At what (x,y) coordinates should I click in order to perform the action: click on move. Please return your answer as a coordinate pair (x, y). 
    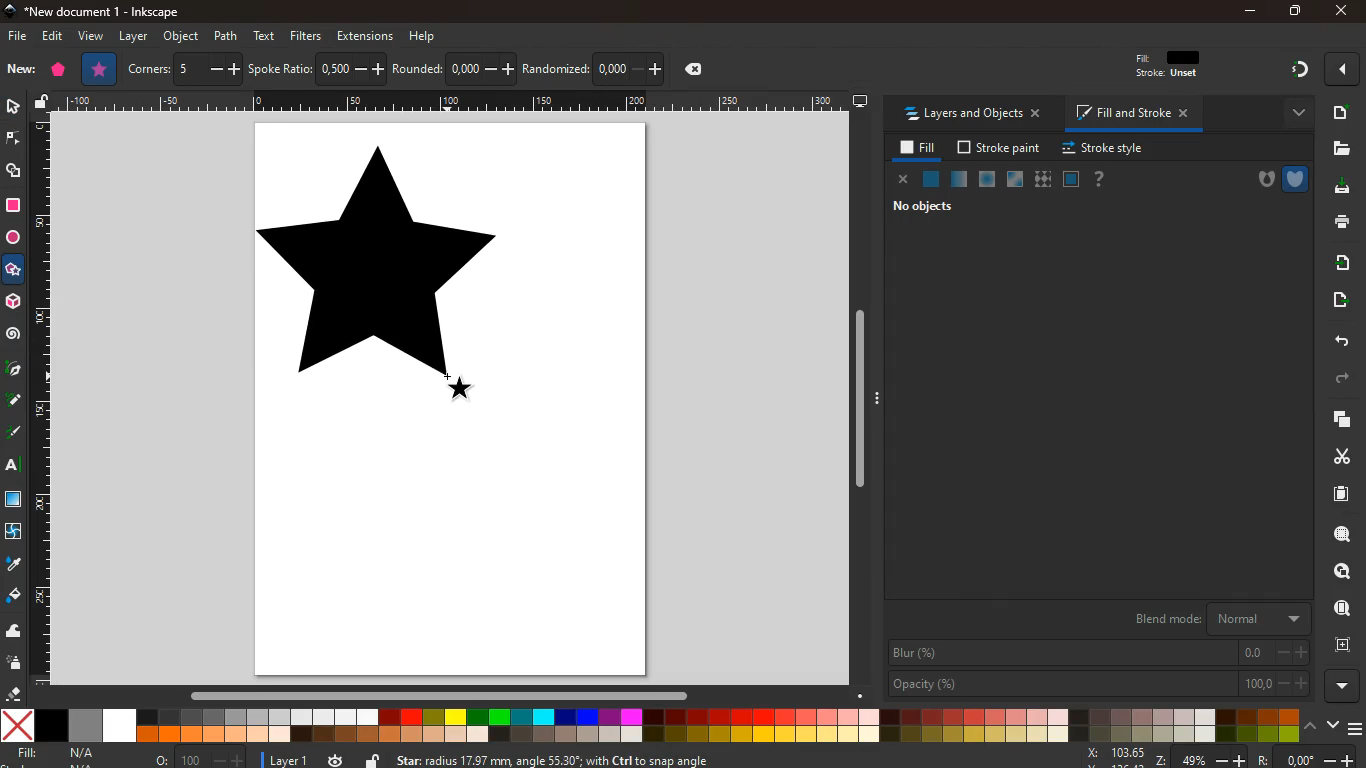
    Looking at the image, I should click on (1337, 301).